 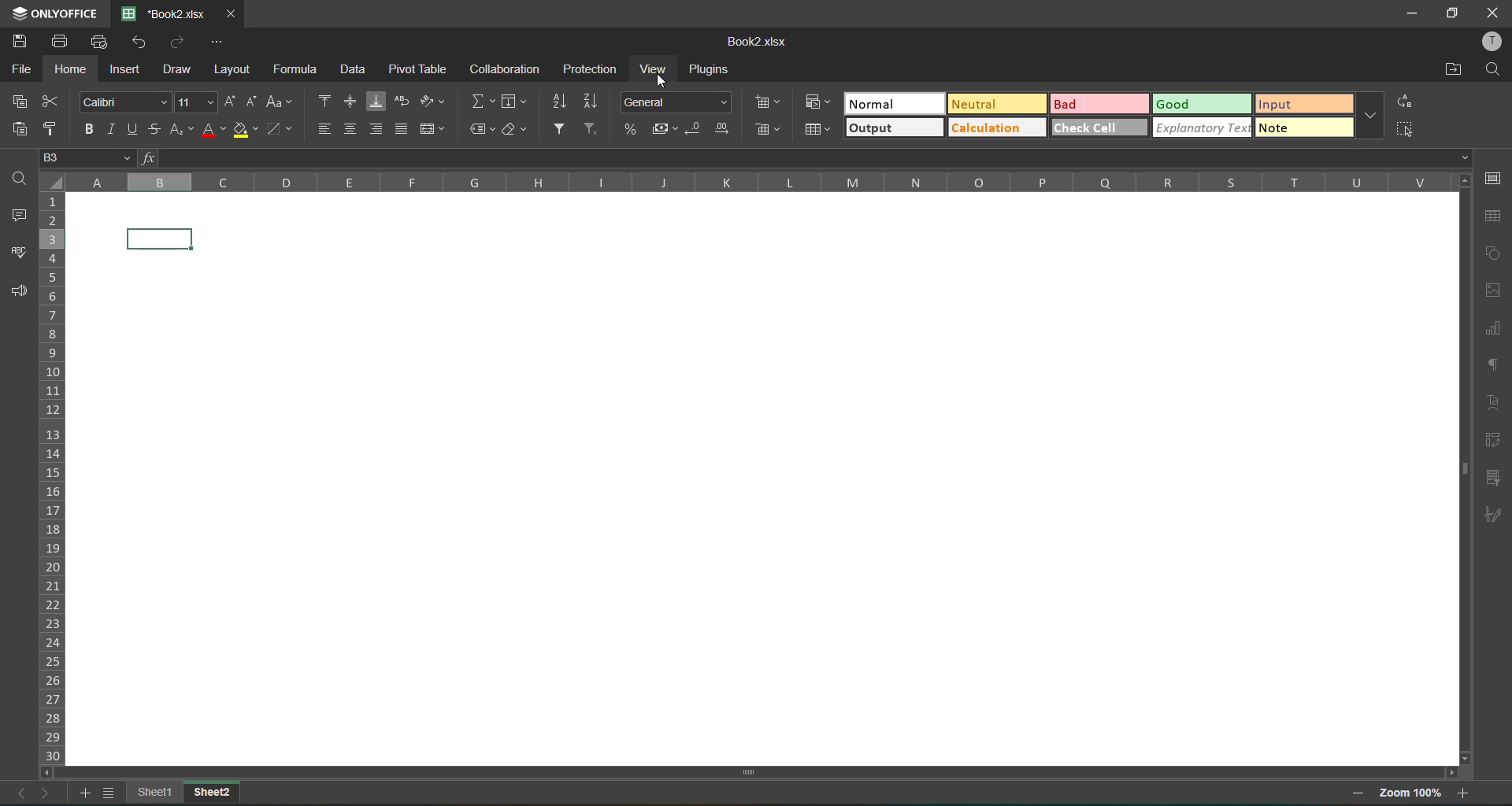 What do you see at coordinates (482, 130) in the screenshot?
I see `named ranges` at bounding box center [482, 130].